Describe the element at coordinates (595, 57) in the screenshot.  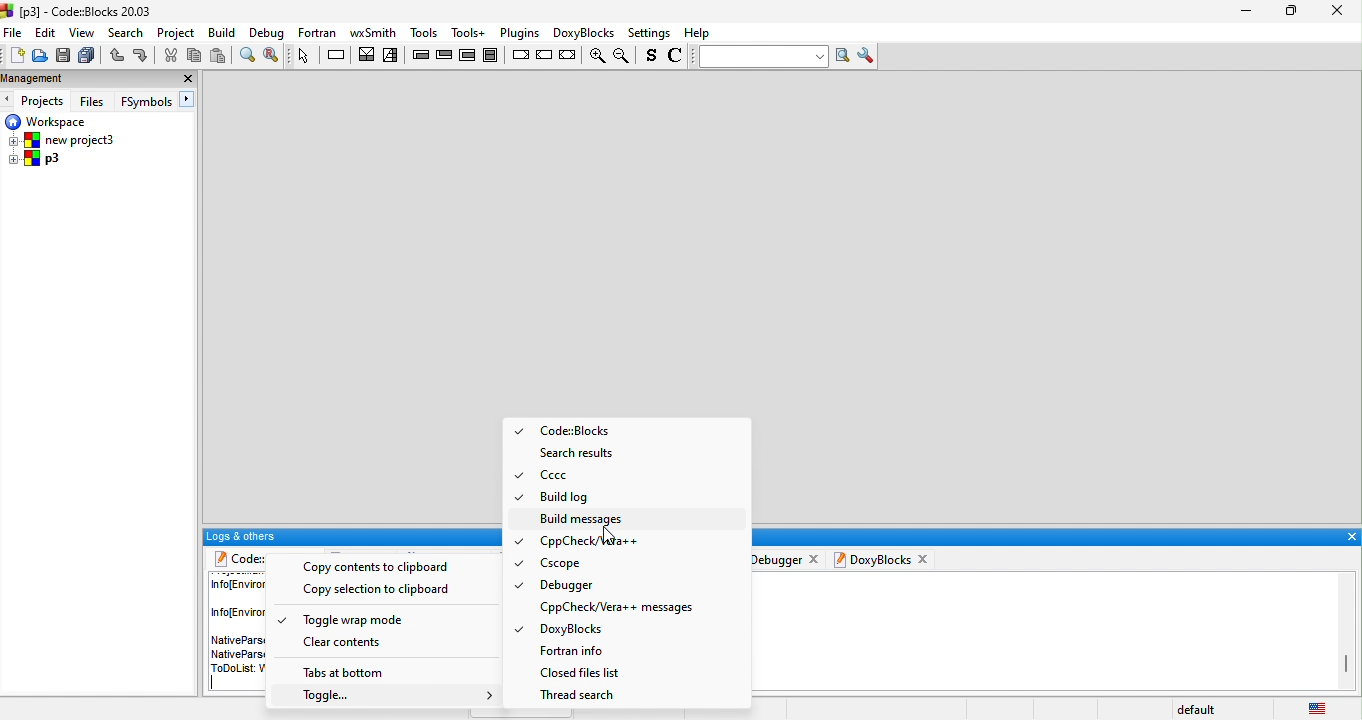
I see `zoom in` at that location.